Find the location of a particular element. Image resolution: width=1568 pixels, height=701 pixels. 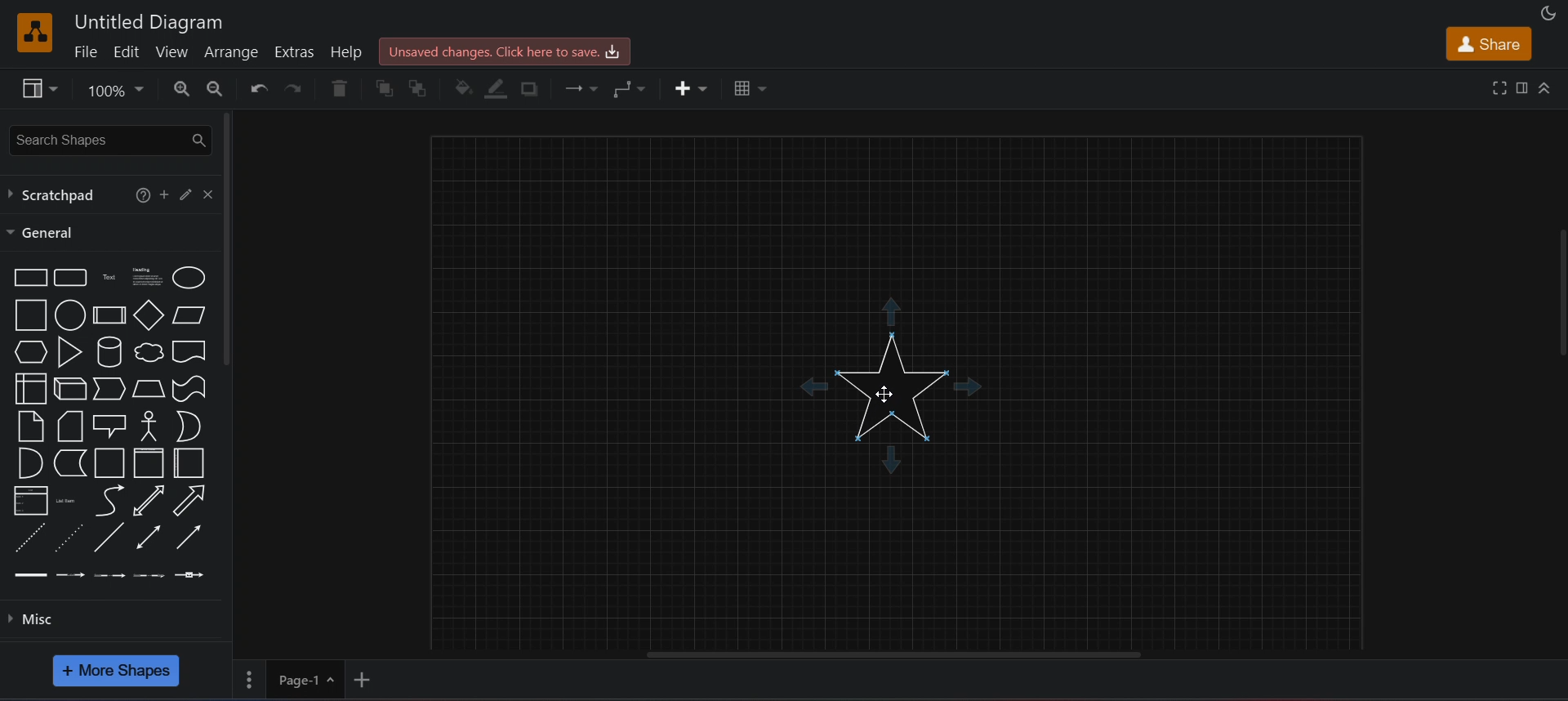

card is located at coordinates (69, 424).